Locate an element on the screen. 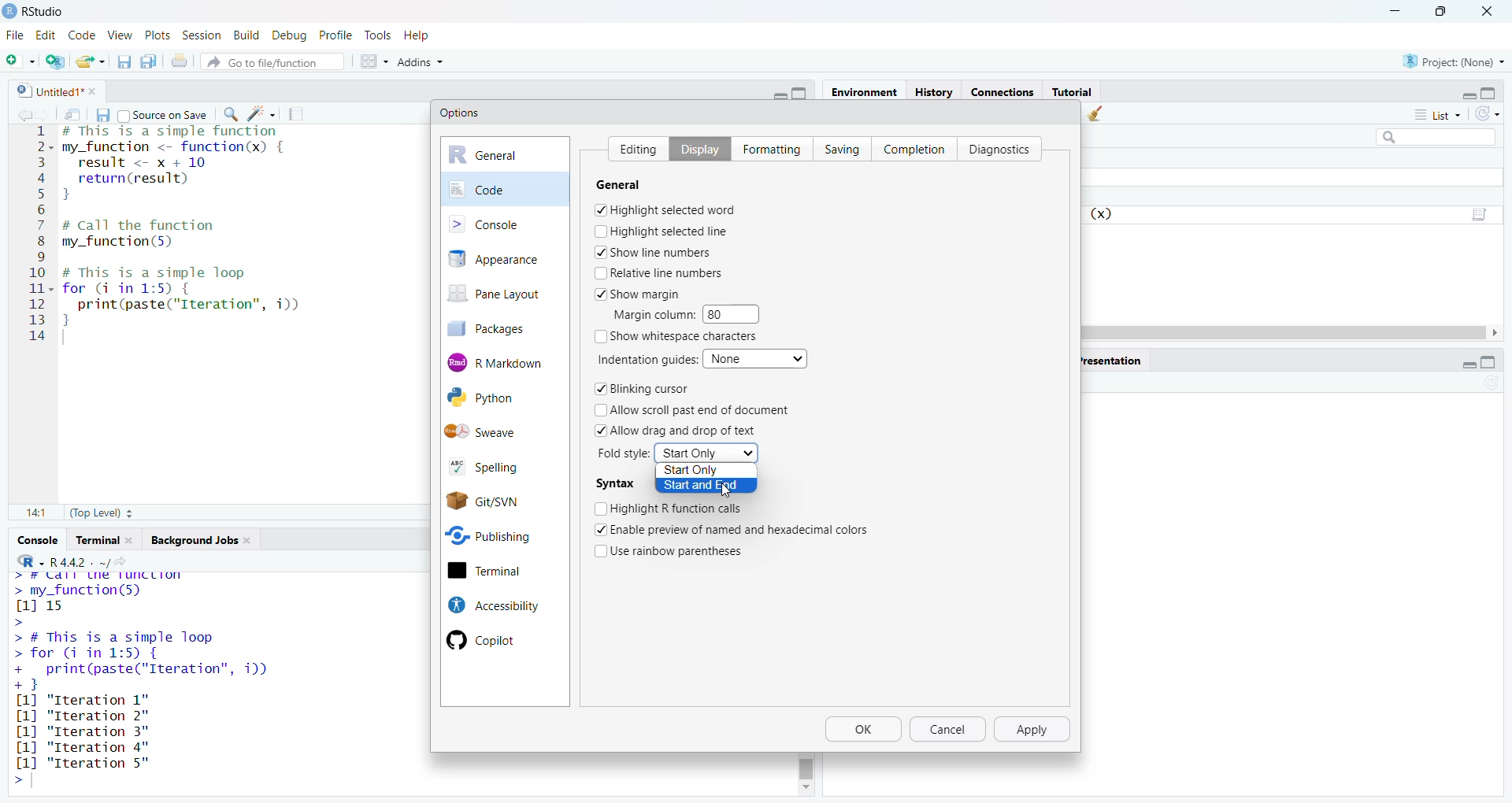 This screenshot has width=1512, height=803. debug is located at coordinates (290, 33).